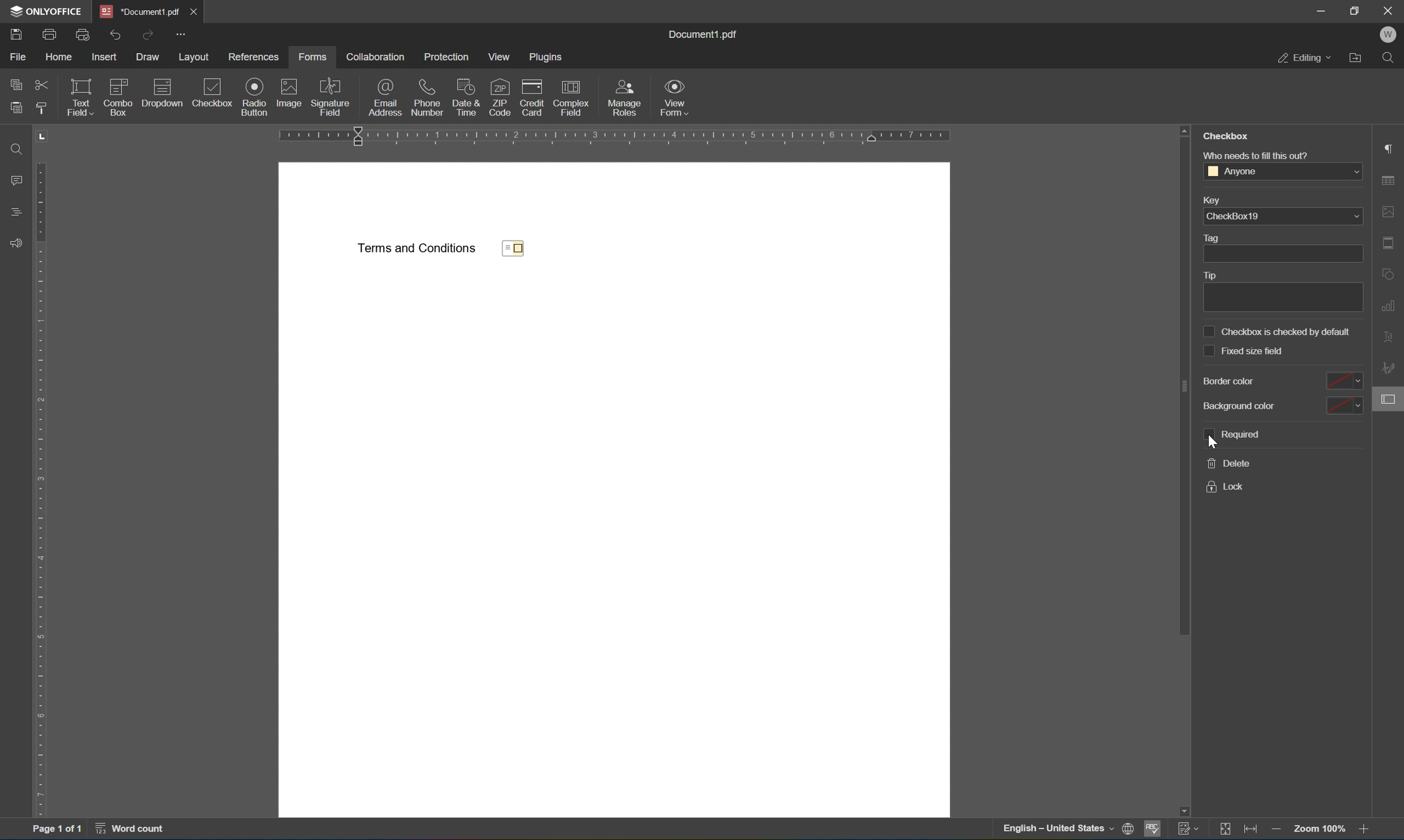  I want to click on header & footer settings, so click(1391, 245).